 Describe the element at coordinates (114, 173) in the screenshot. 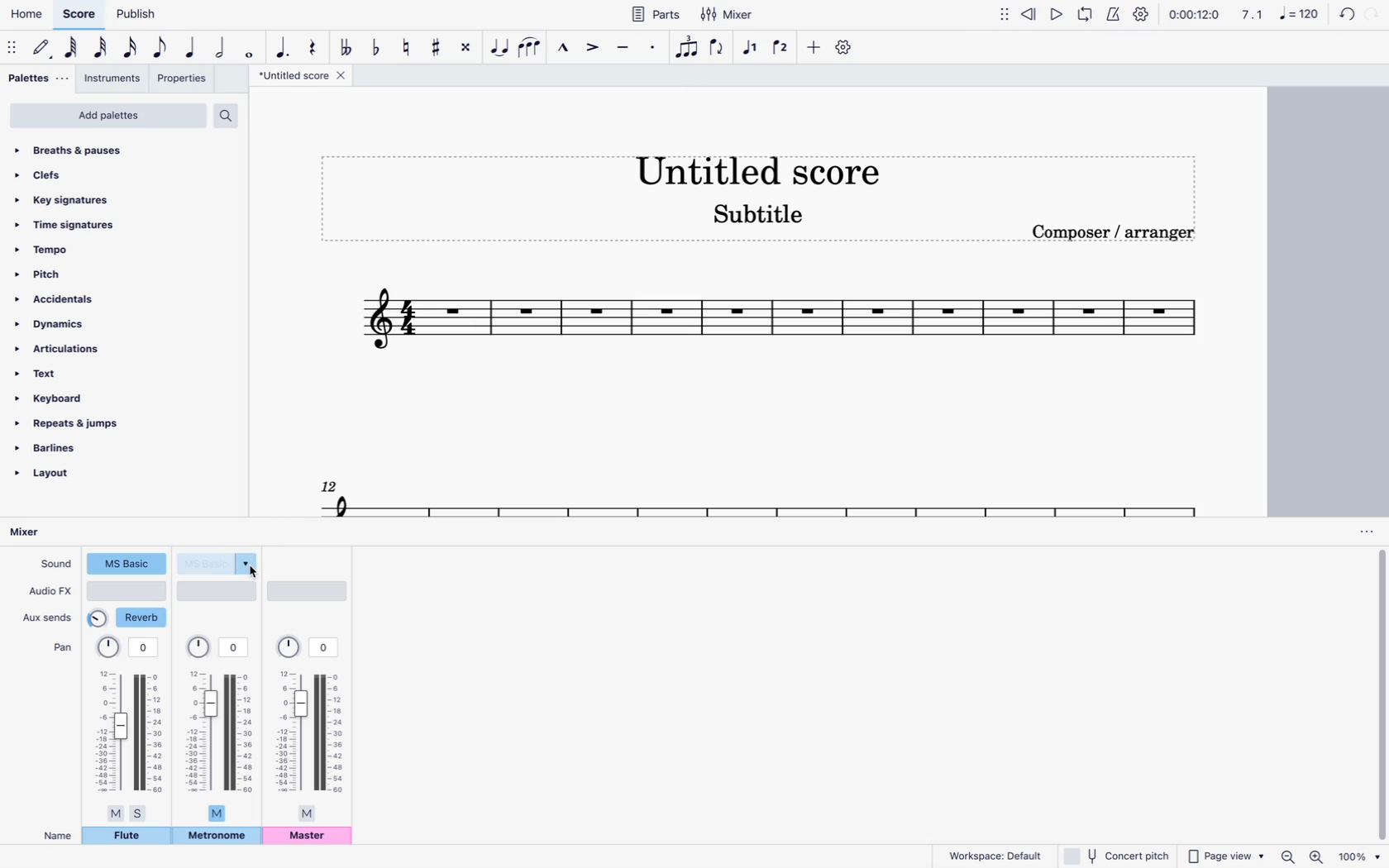

I see `clefs` at that location.